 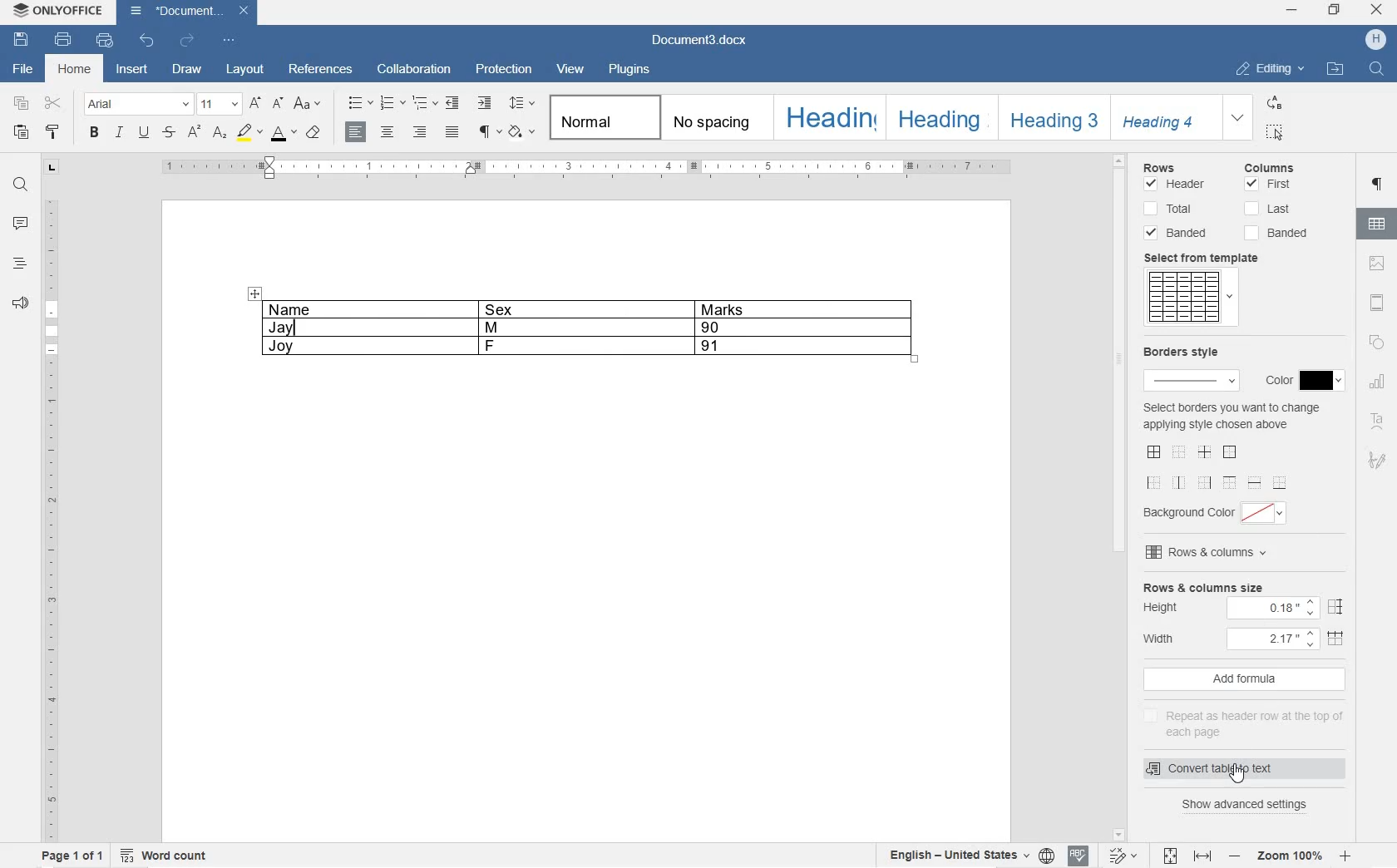 I want to click on HEADING 4, so click(x=1162, y=116).